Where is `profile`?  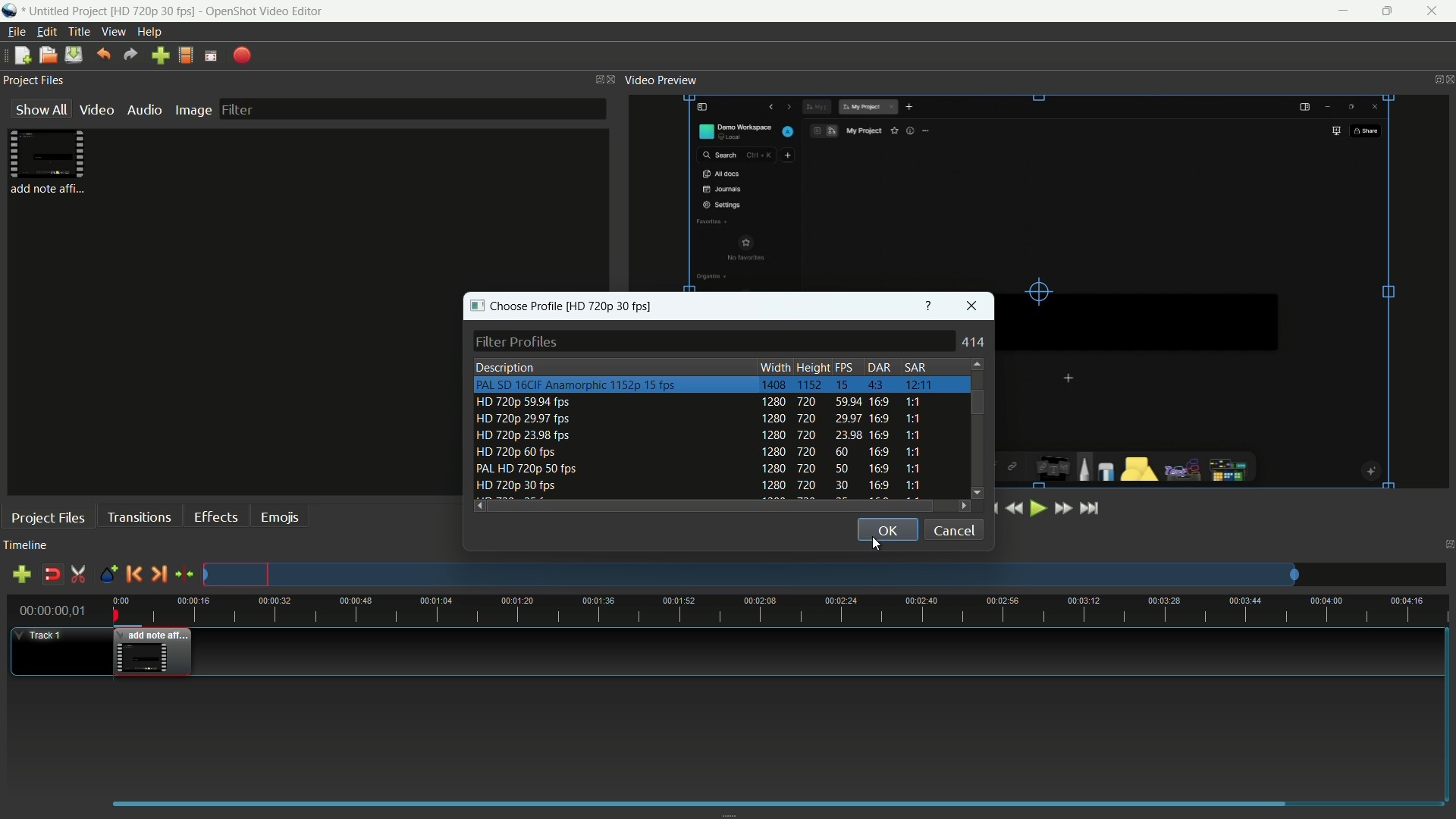
profile is located at coordinates (186, 57).